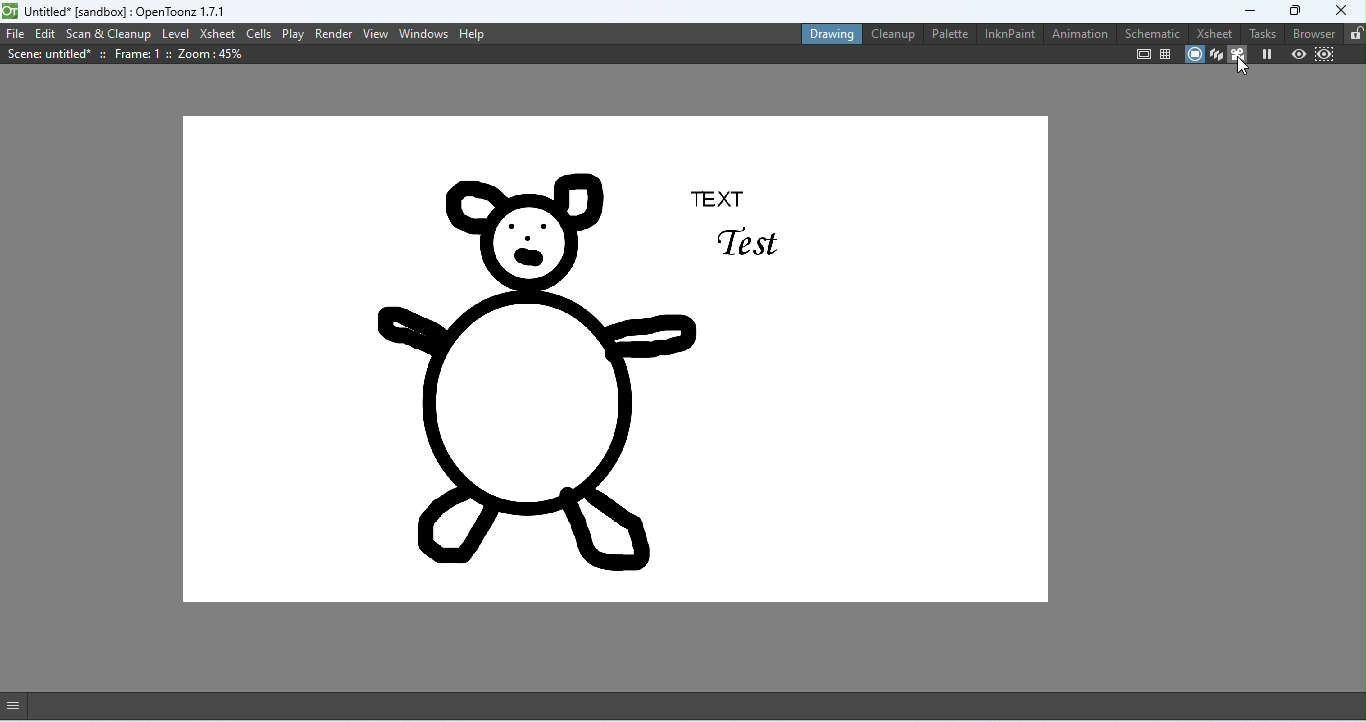  I want to click on lock rooms tab, so click(1353, 33).